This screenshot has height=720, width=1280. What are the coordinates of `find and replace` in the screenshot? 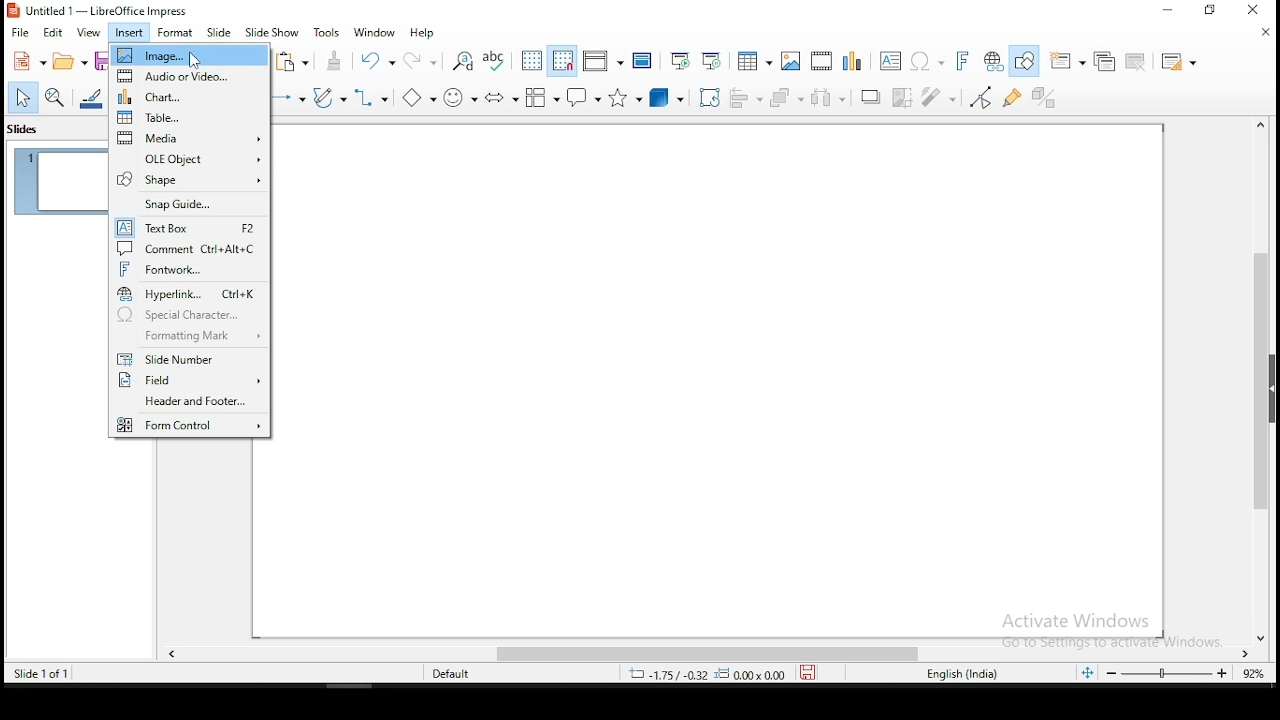 It's located at (462, 60).